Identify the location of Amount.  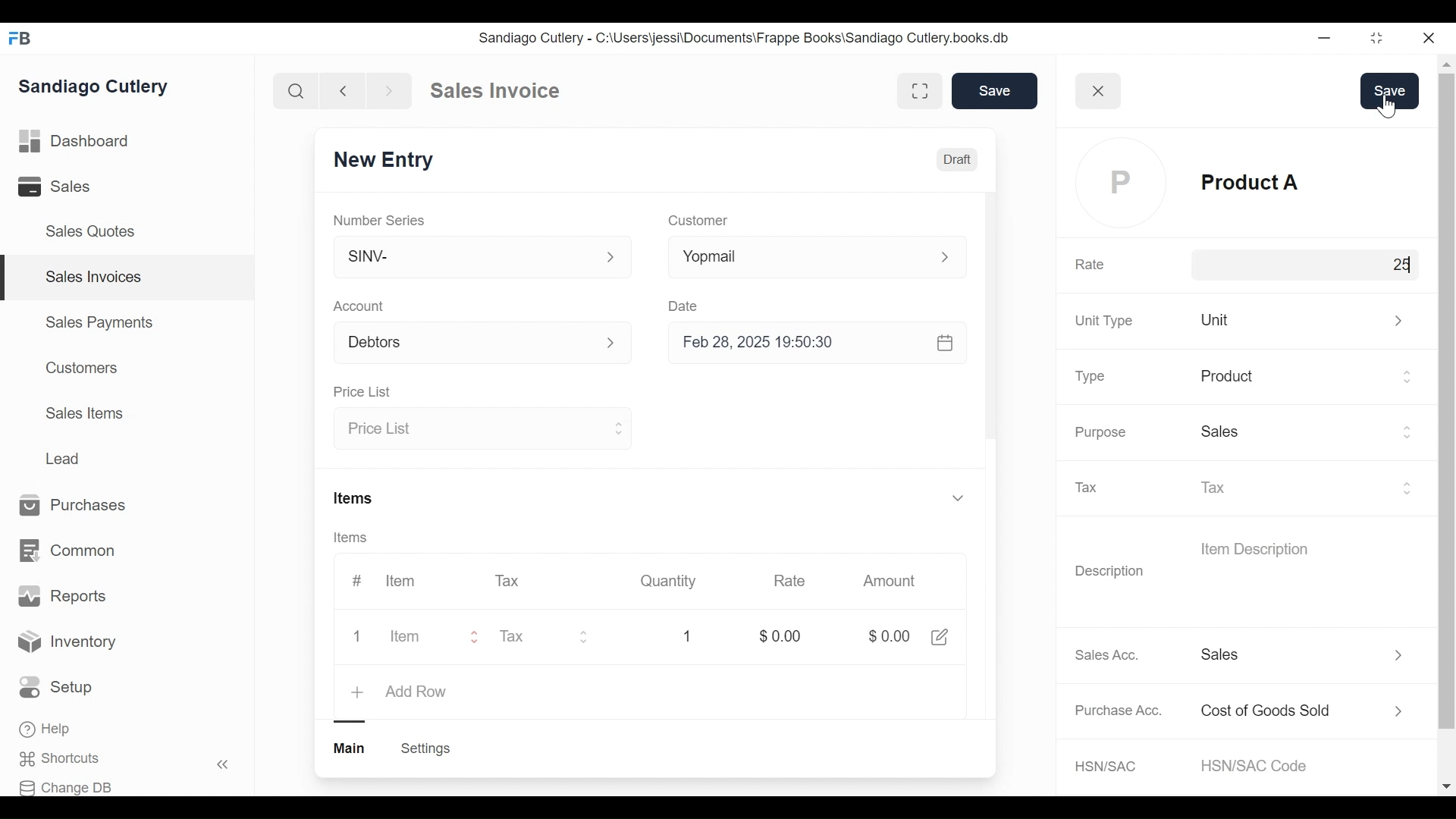
(887, 582).